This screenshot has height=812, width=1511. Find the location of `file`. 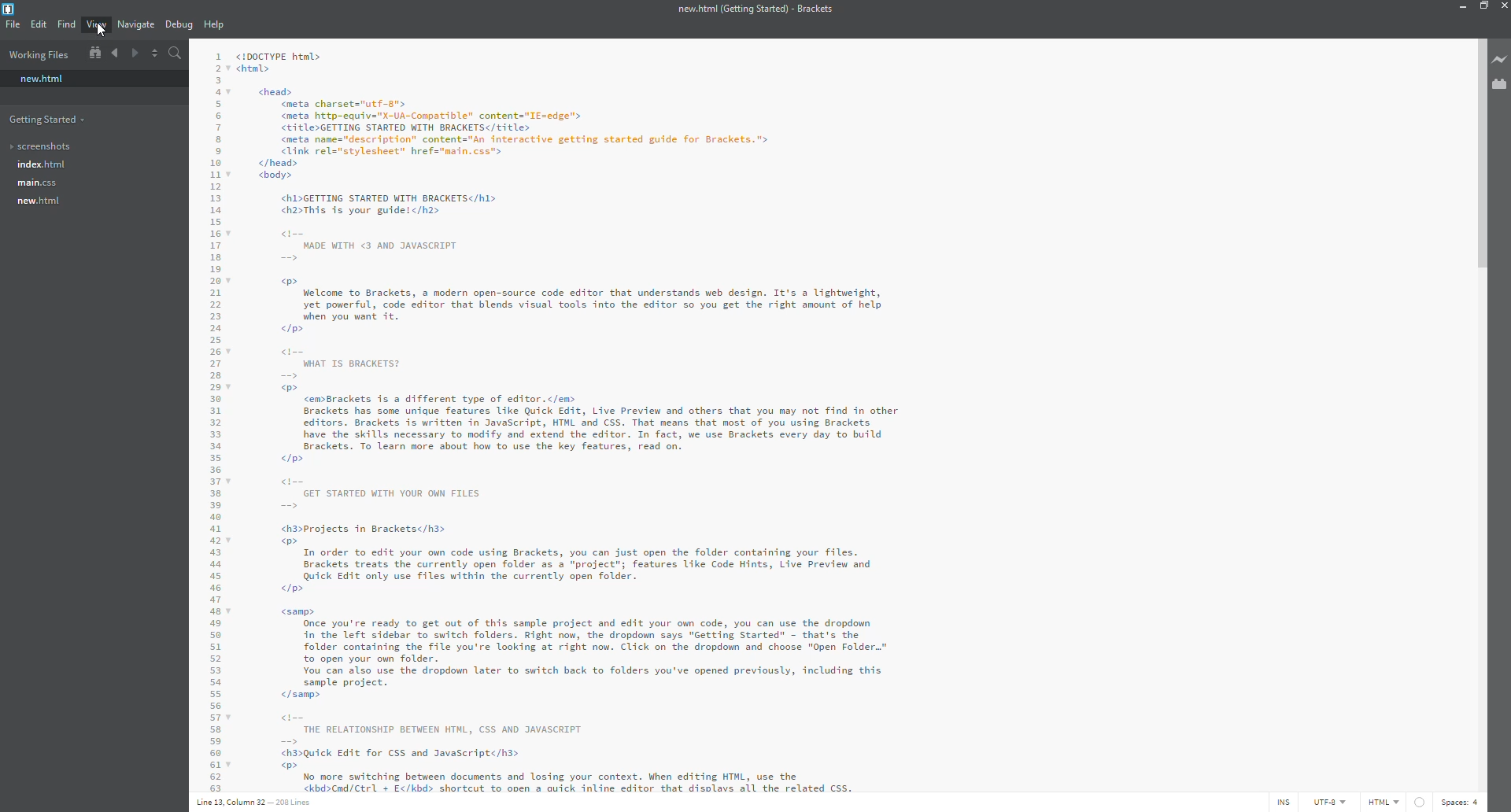

file is located at coordinates (12, 24).